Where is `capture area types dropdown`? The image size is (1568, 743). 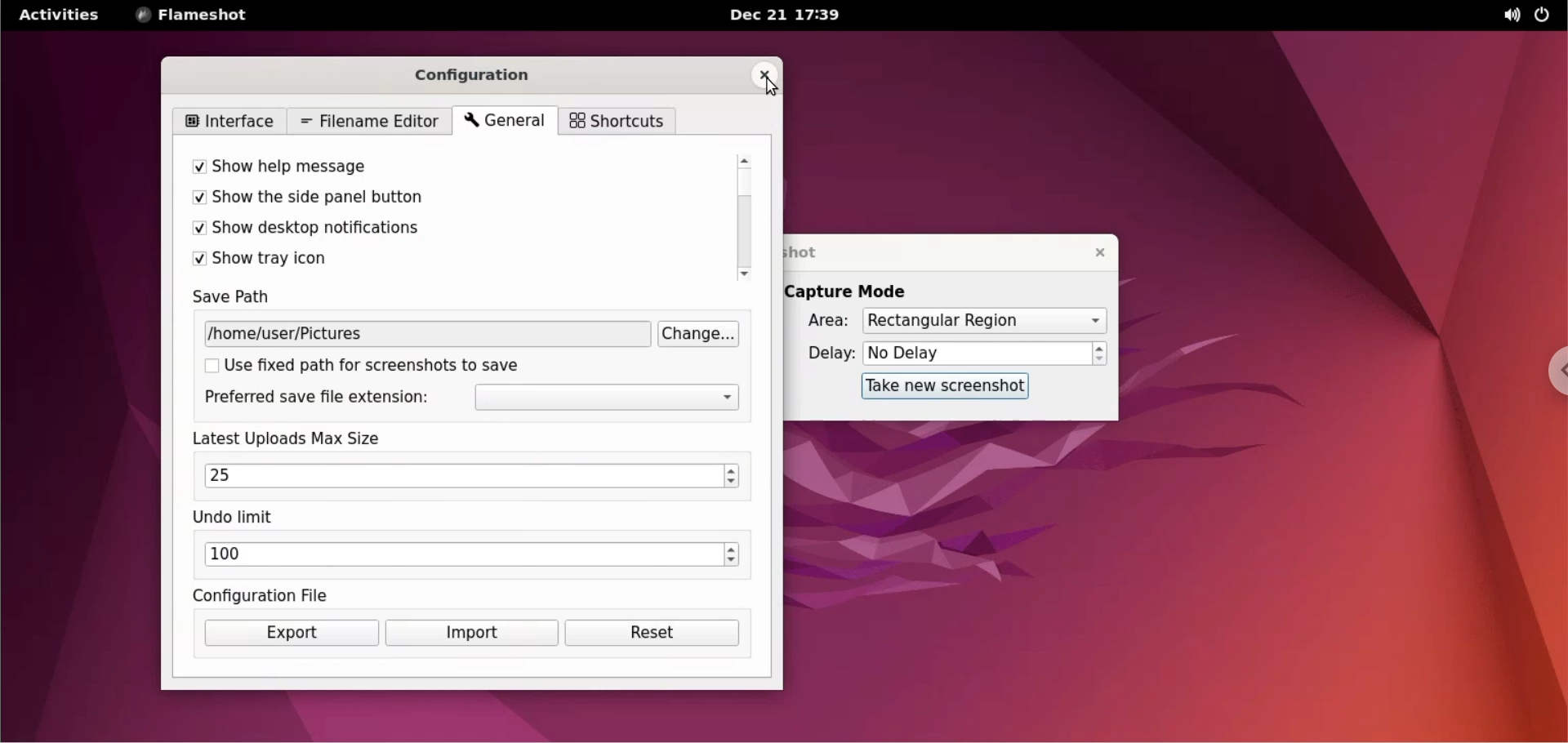 capture area types dropdown is located at coordinates (984, 320).